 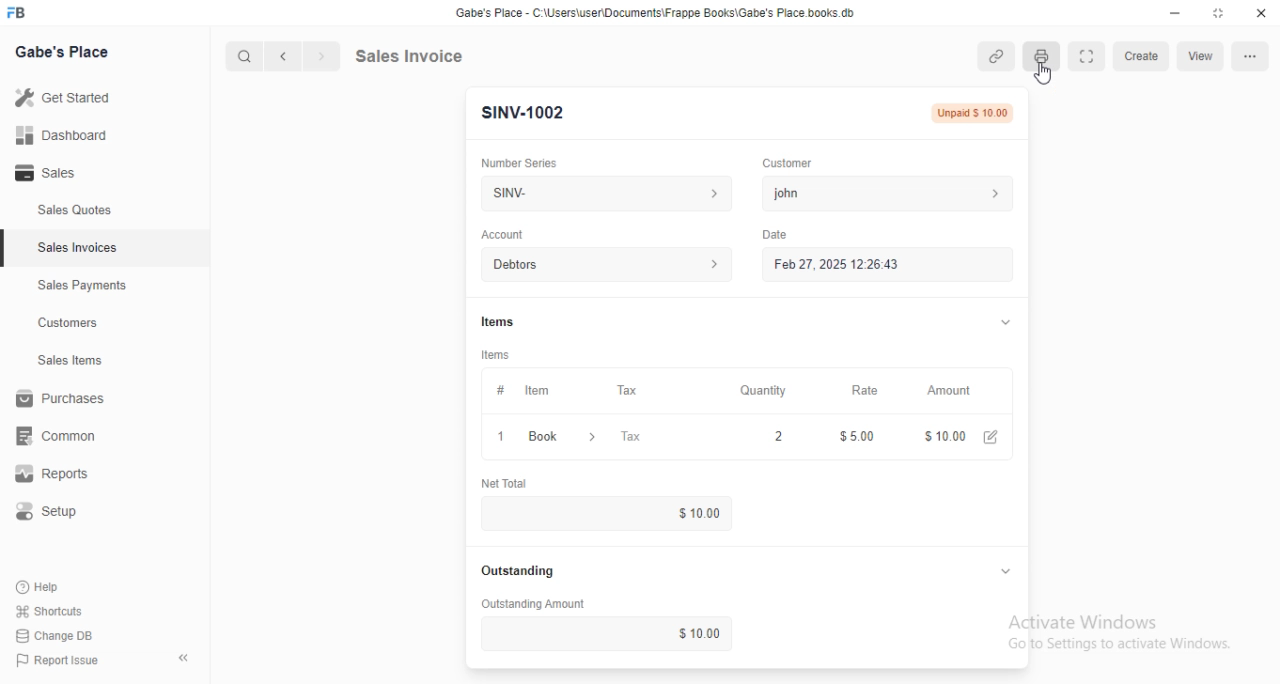 I want to click on cursor, so click(x=1043, y=74).